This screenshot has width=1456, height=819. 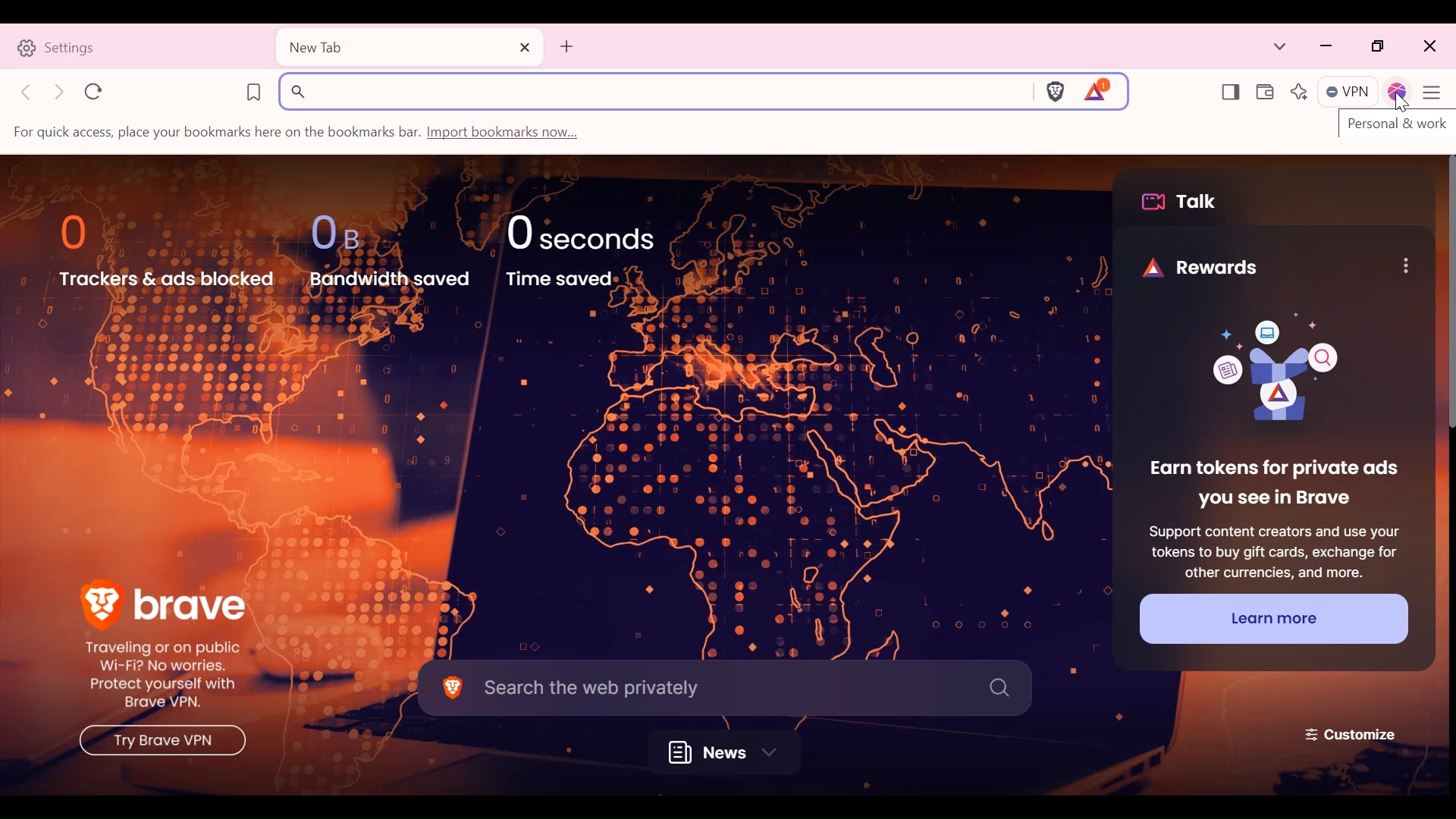 I want to click on Search the web privately, so click(x=724, y=686).